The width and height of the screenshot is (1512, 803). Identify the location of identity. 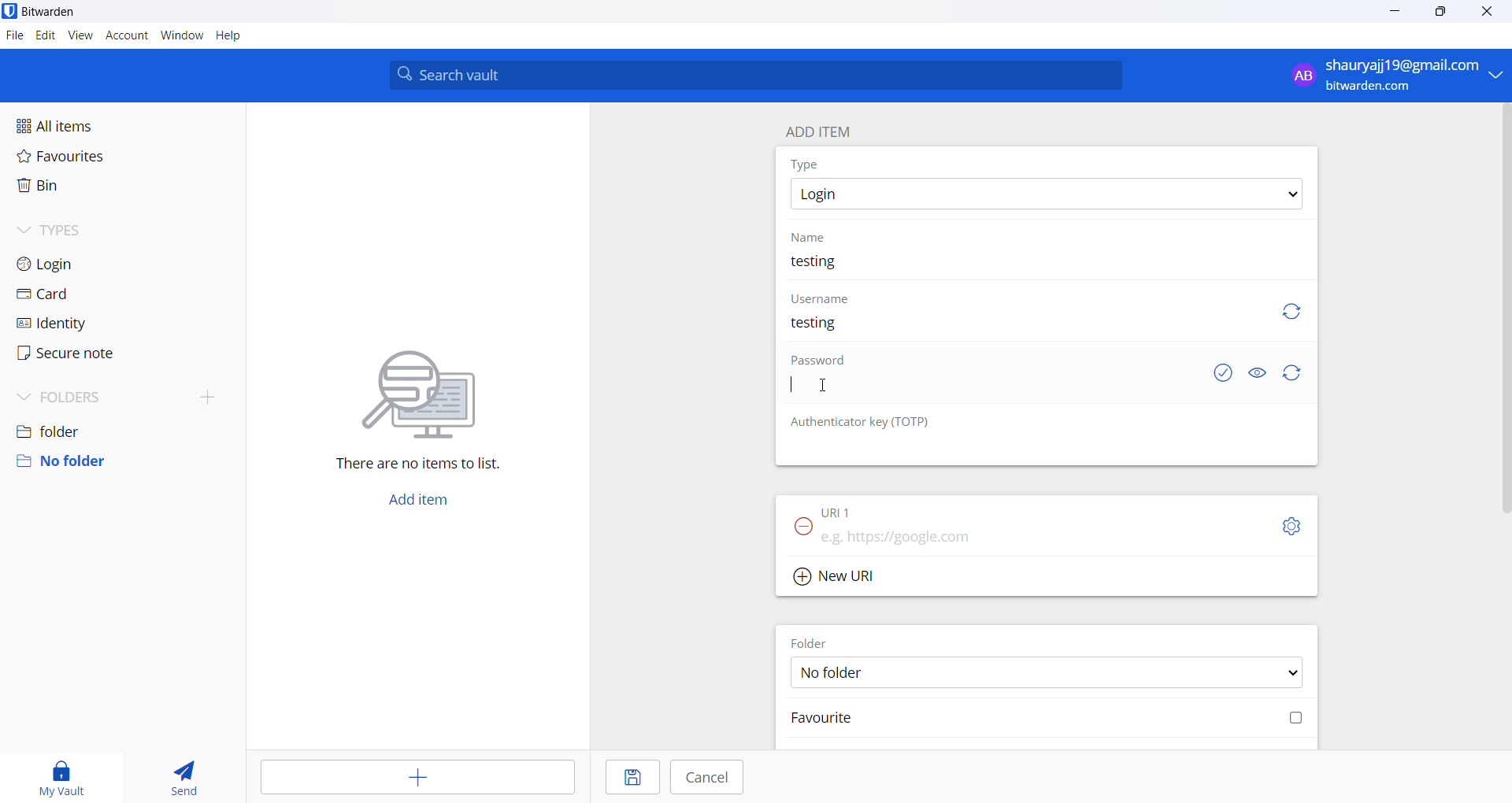
(76, 324).